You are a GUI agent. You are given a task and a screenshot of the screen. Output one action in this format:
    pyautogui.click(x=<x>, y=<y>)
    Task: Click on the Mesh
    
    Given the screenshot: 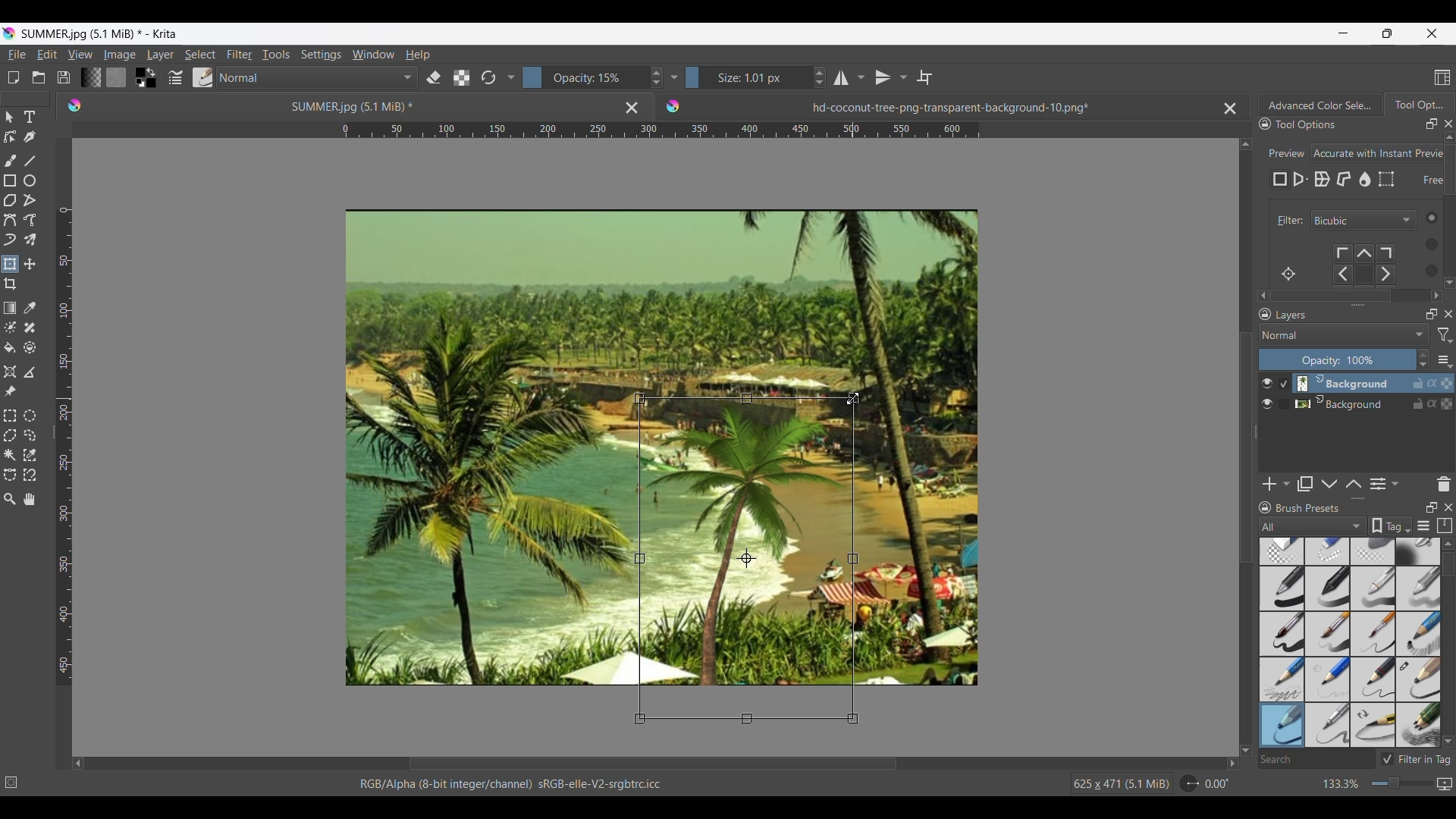 What is the action you would take?
    pyautogui.click(x=1386, y=179)
    